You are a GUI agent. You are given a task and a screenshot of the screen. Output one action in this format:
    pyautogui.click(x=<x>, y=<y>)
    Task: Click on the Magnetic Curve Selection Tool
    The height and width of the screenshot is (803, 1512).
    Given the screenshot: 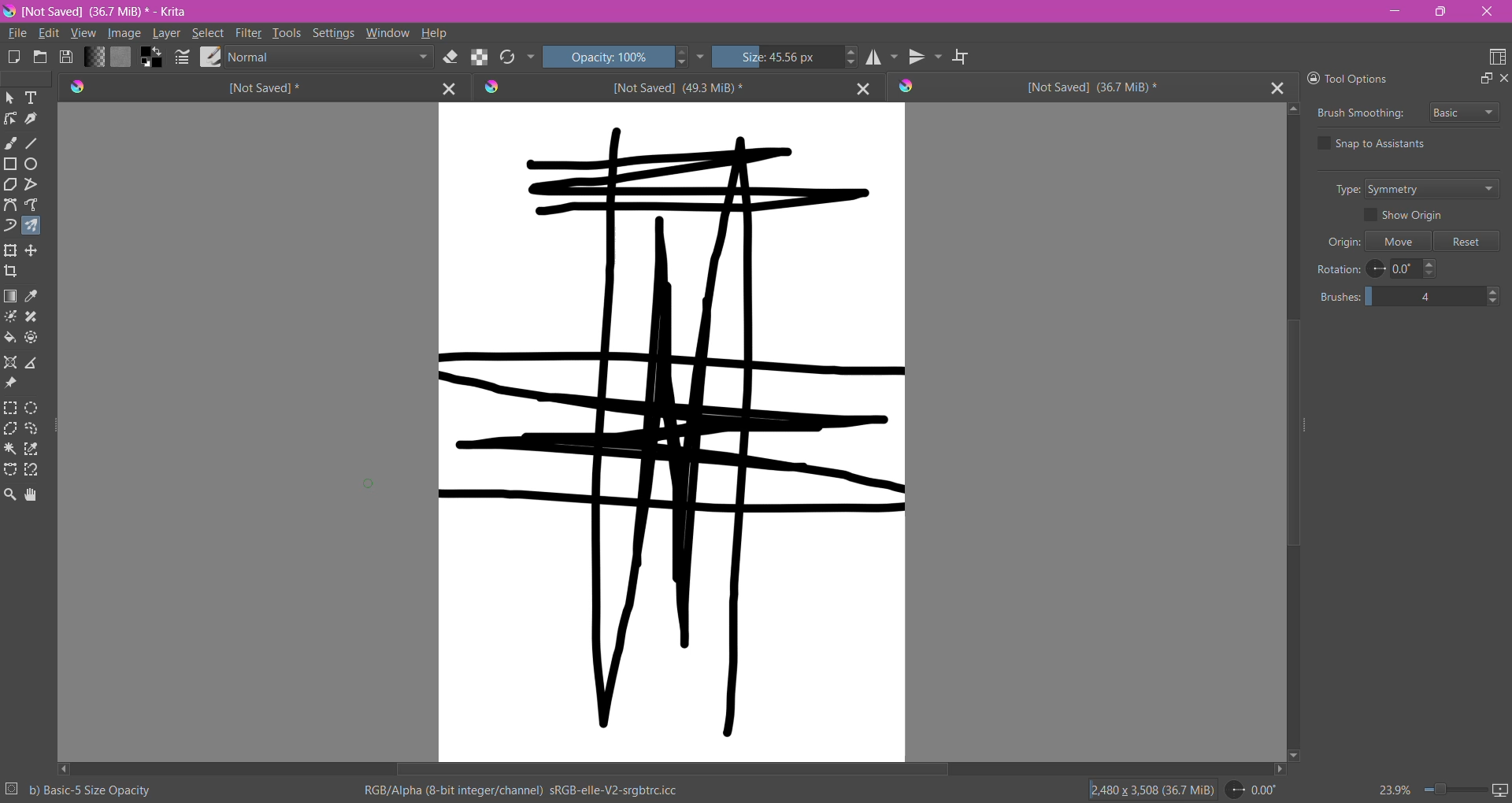 What is the action you would take?
    pyautogui.click(x=31, y=470)
    